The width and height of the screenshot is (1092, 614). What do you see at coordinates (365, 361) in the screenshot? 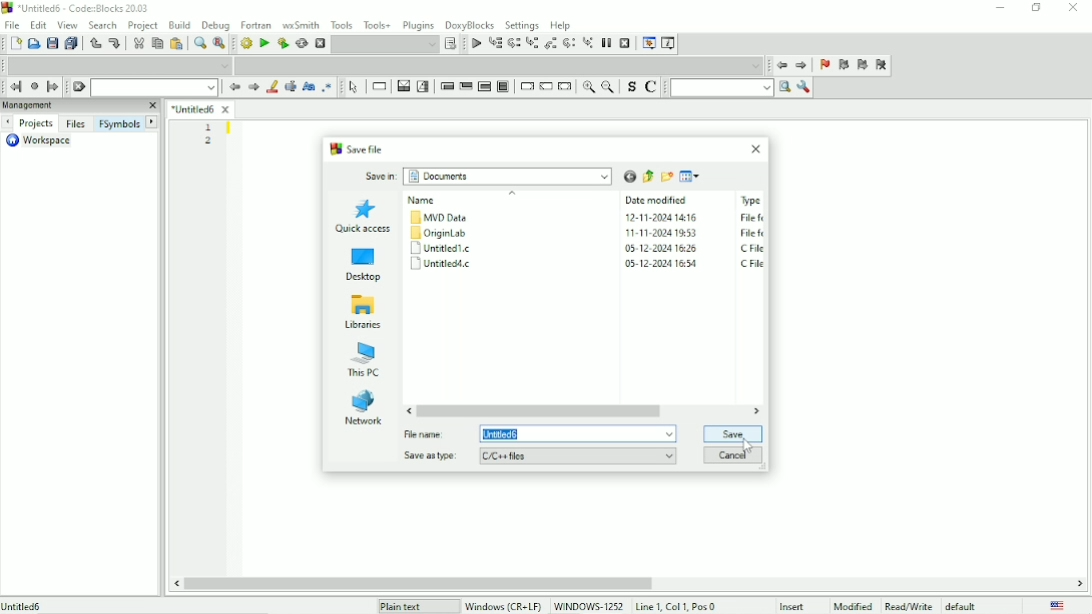
I see `This PC` at bounding box center [365, 361].